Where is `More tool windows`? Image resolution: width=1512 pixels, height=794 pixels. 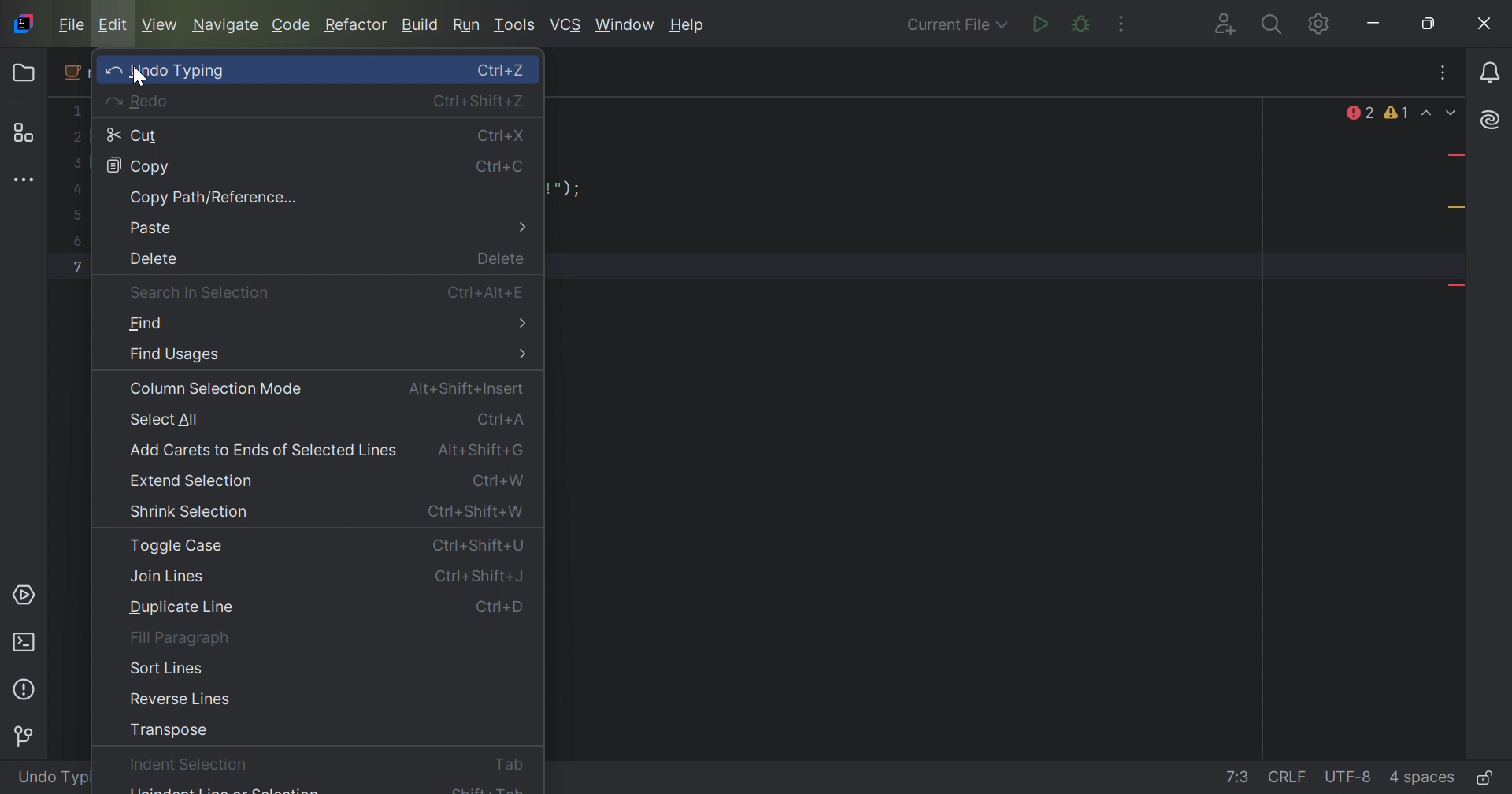
More tool windows is located at coordinates (24, 180).